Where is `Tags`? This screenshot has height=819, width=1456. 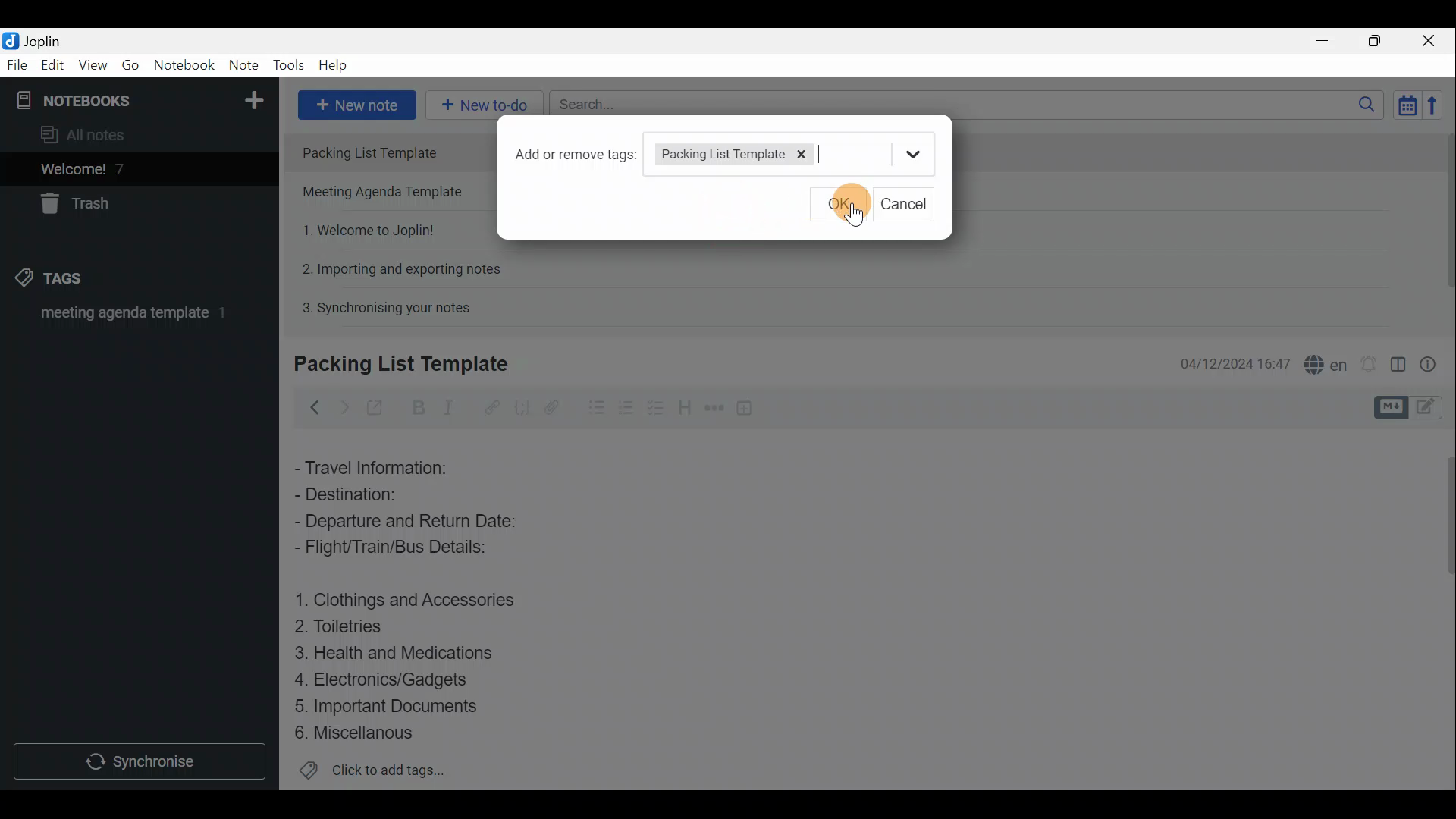 Tags is located at coordinates (74, 281).